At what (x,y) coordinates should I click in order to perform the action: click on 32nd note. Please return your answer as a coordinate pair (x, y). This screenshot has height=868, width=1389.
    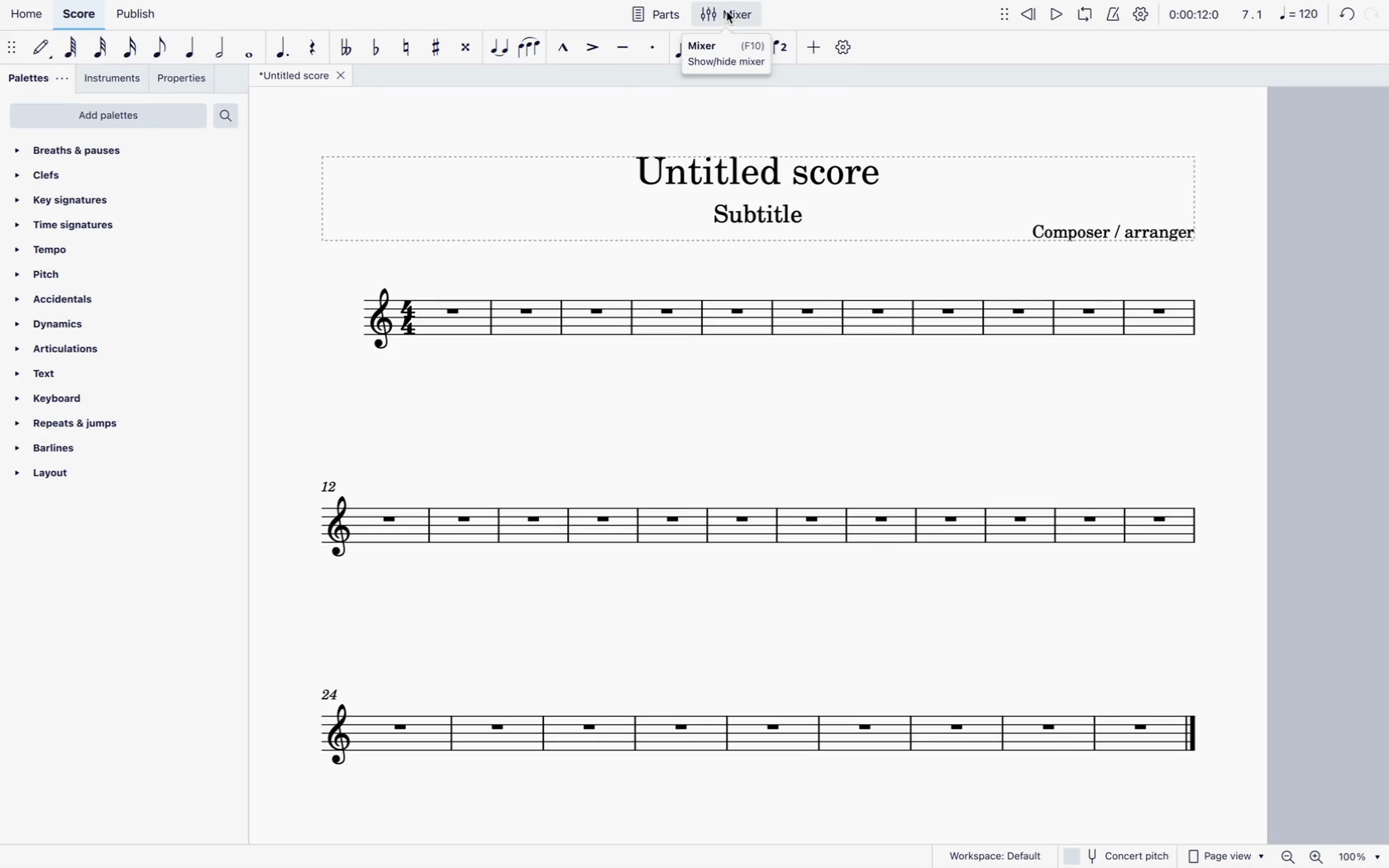
    Looking at the image, I should click on (103, 49).